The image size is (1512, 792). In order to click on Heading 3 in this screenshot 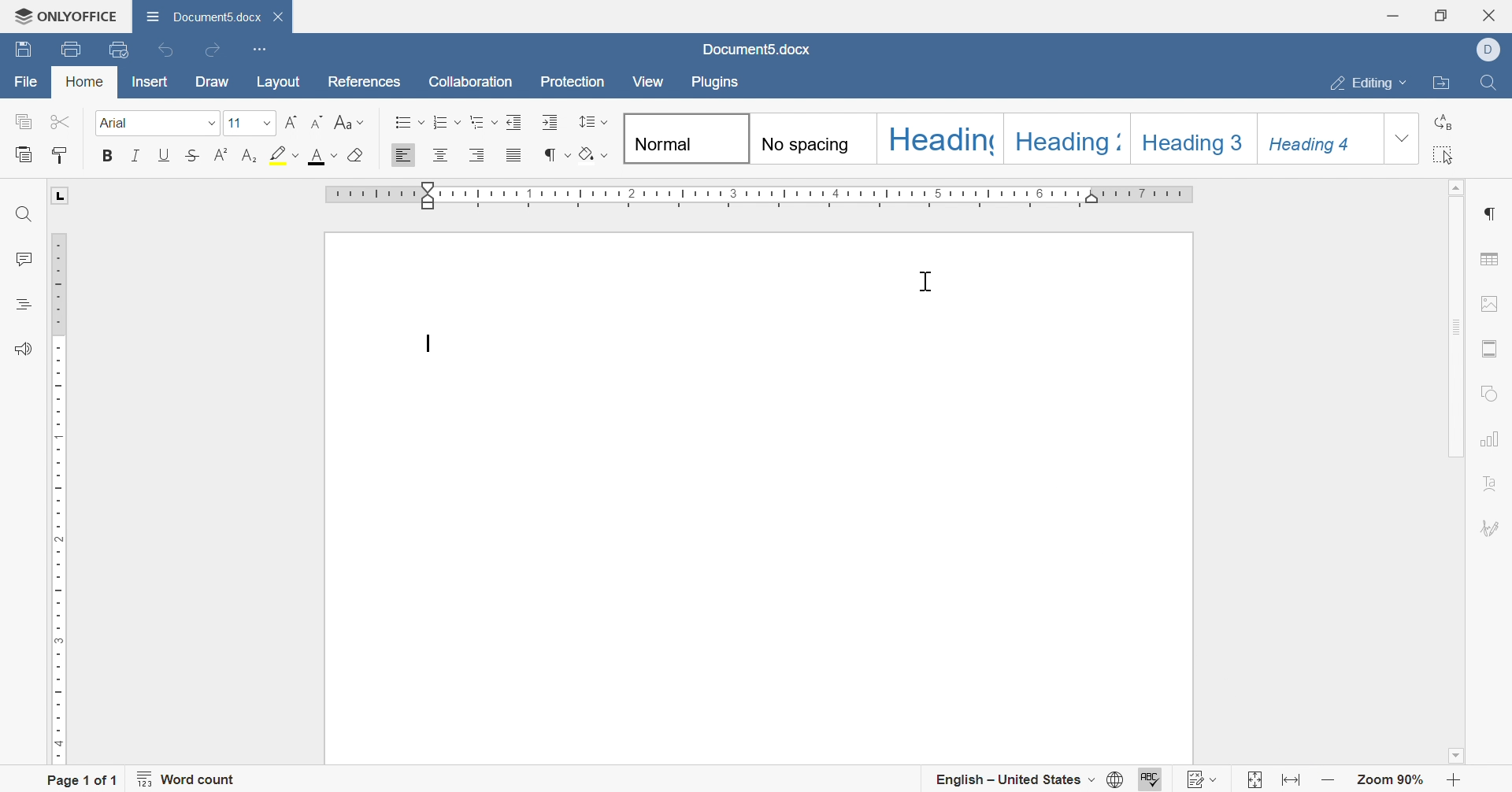, I will do `click(1191, 138)`.